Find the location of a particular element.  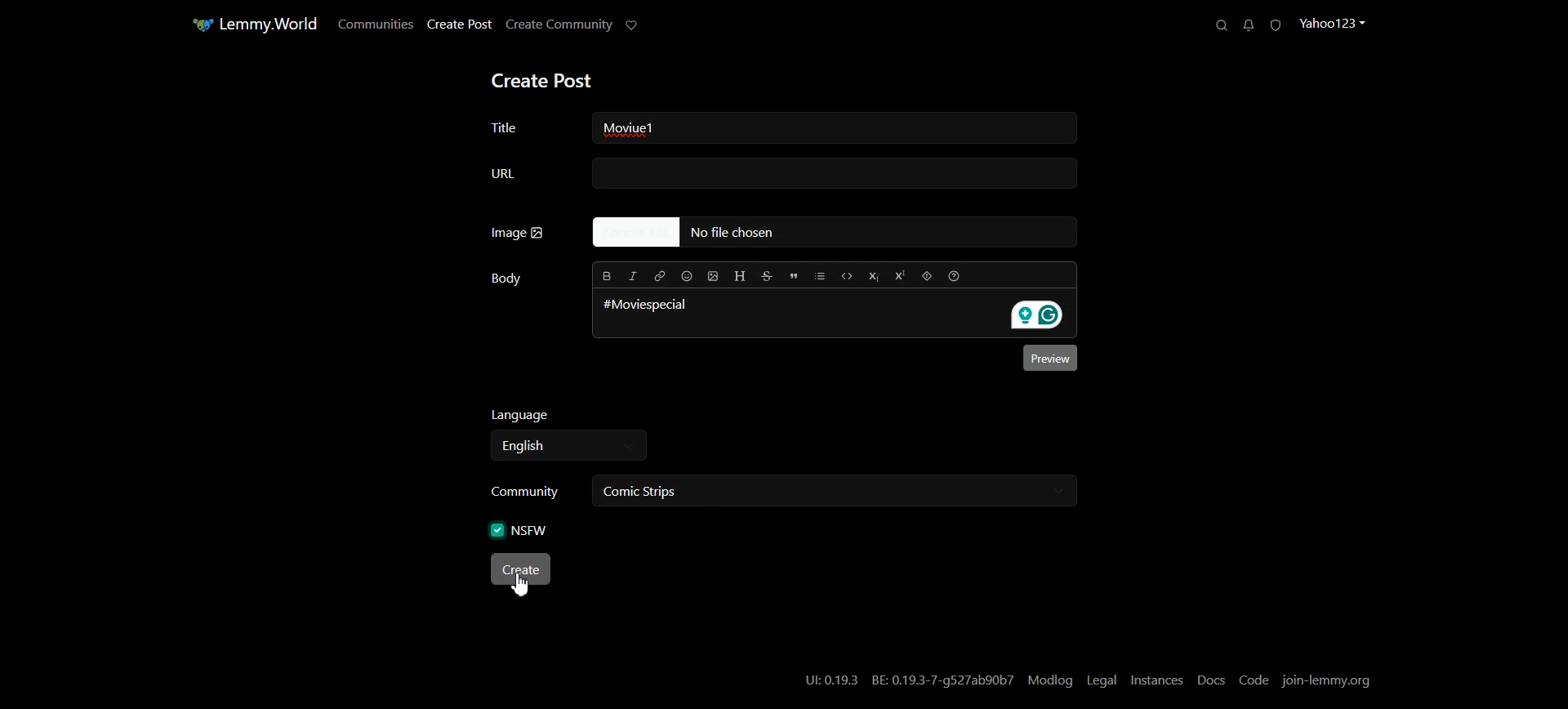

Communities is located at coordinates (375, 25).